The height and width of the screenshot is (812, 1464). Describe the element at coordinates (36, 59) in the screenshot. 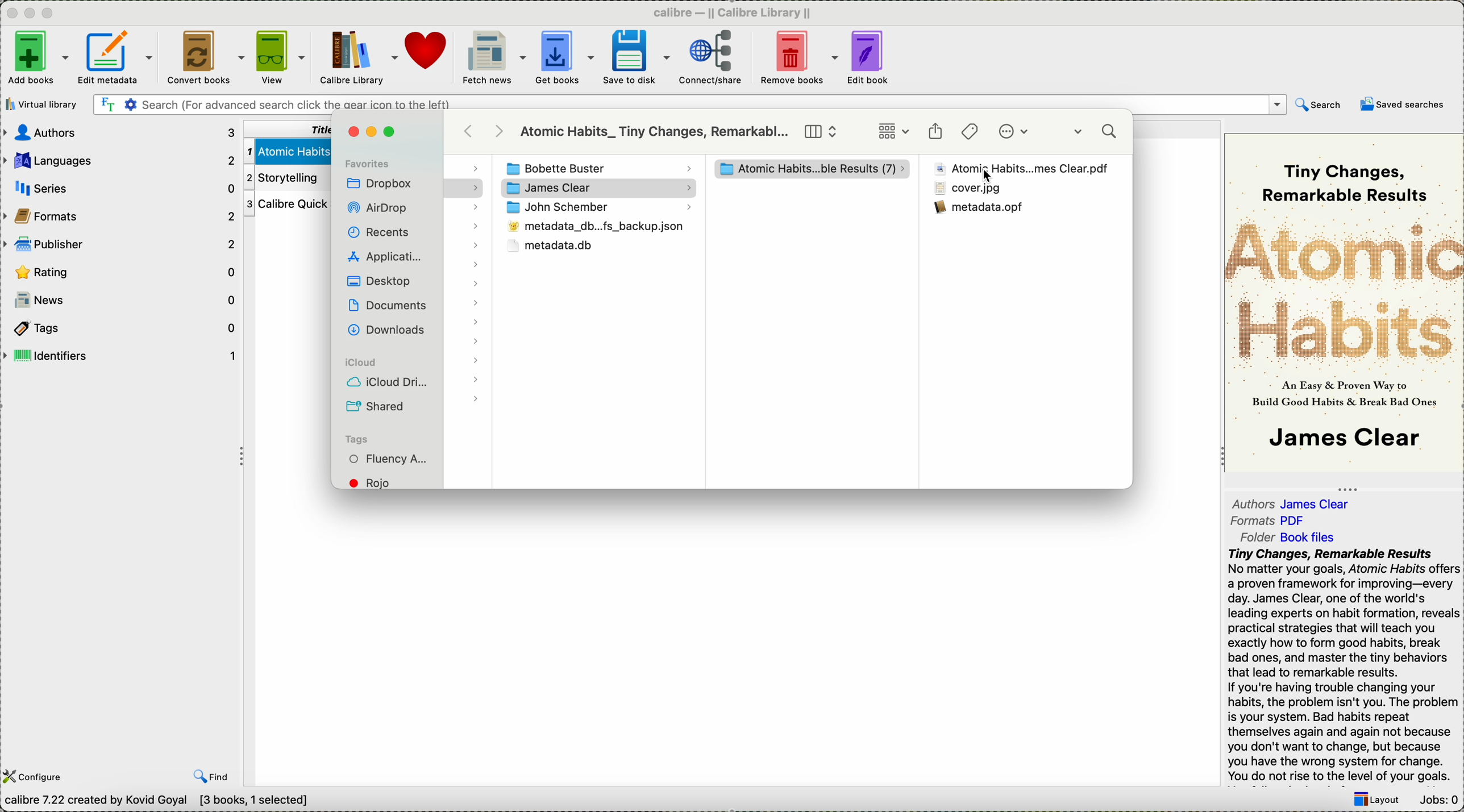

I see `add books` at that location.